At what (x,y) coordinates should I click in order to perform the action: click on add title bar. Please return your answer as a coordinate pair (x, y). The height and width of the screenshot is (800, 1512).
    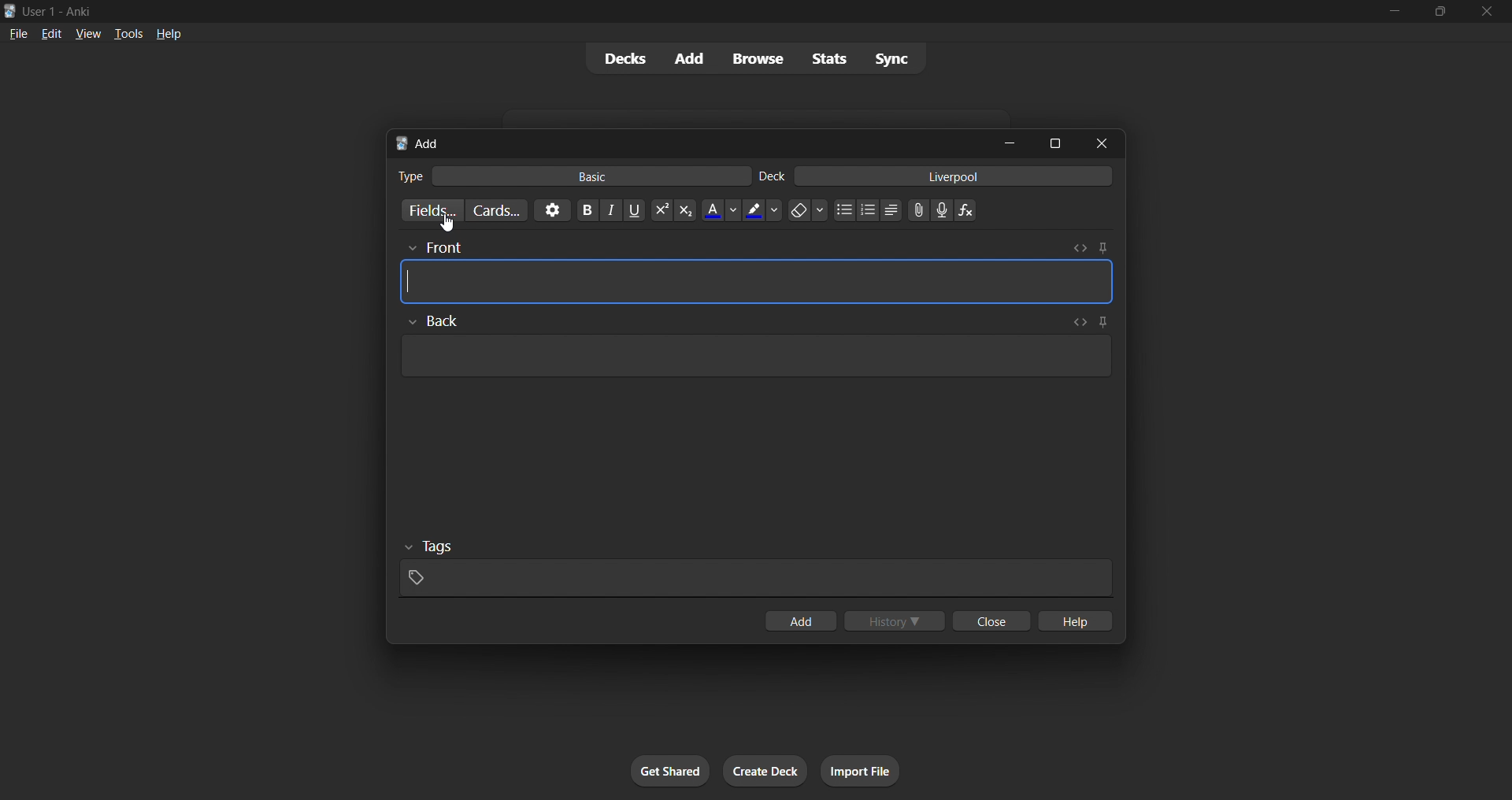
    Looking at the image, I should click on (428, 143).